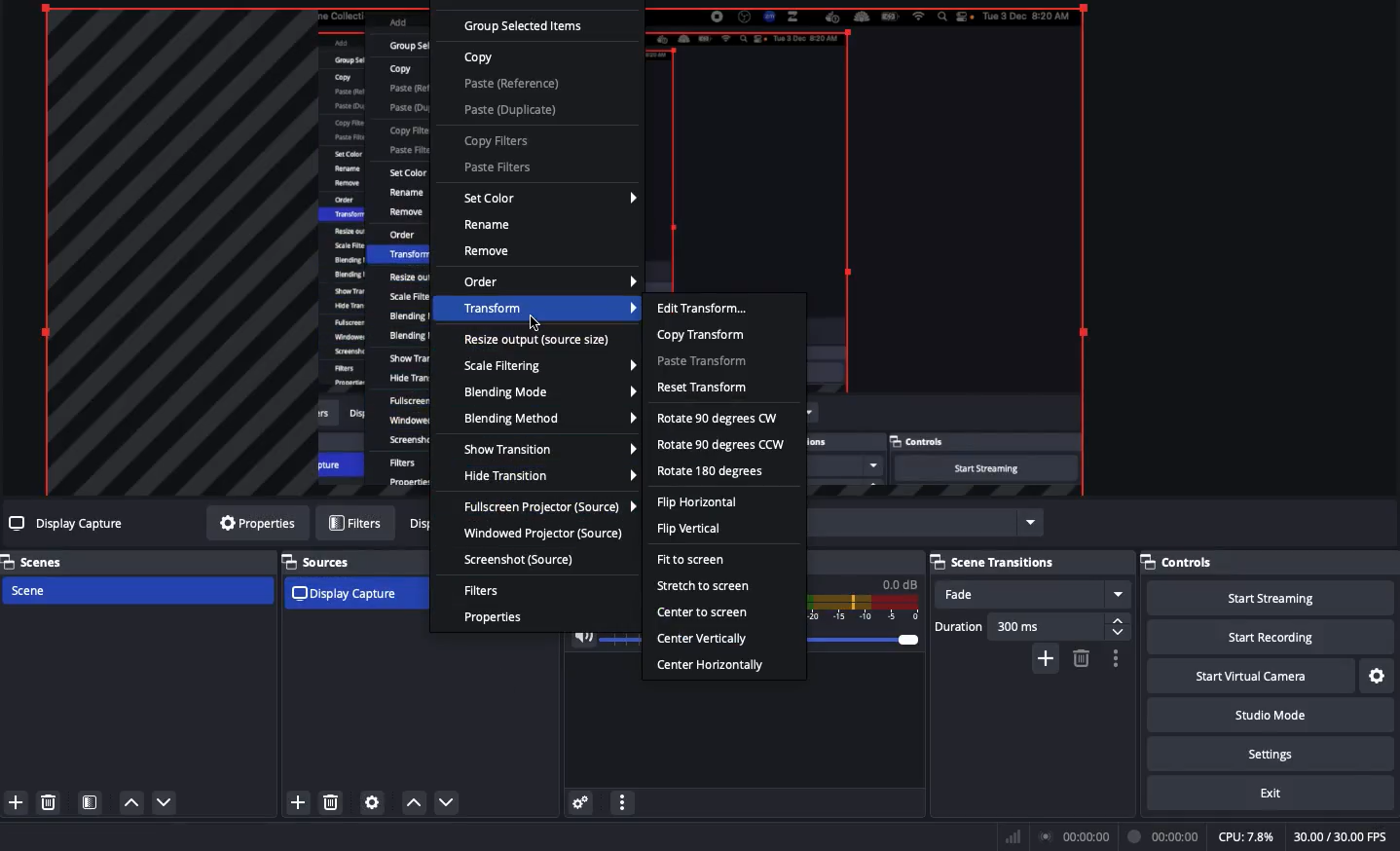  What do you see at coordinates (480, 58) in the screenshot?
I see `Copy` at bounding box center [480, 58].